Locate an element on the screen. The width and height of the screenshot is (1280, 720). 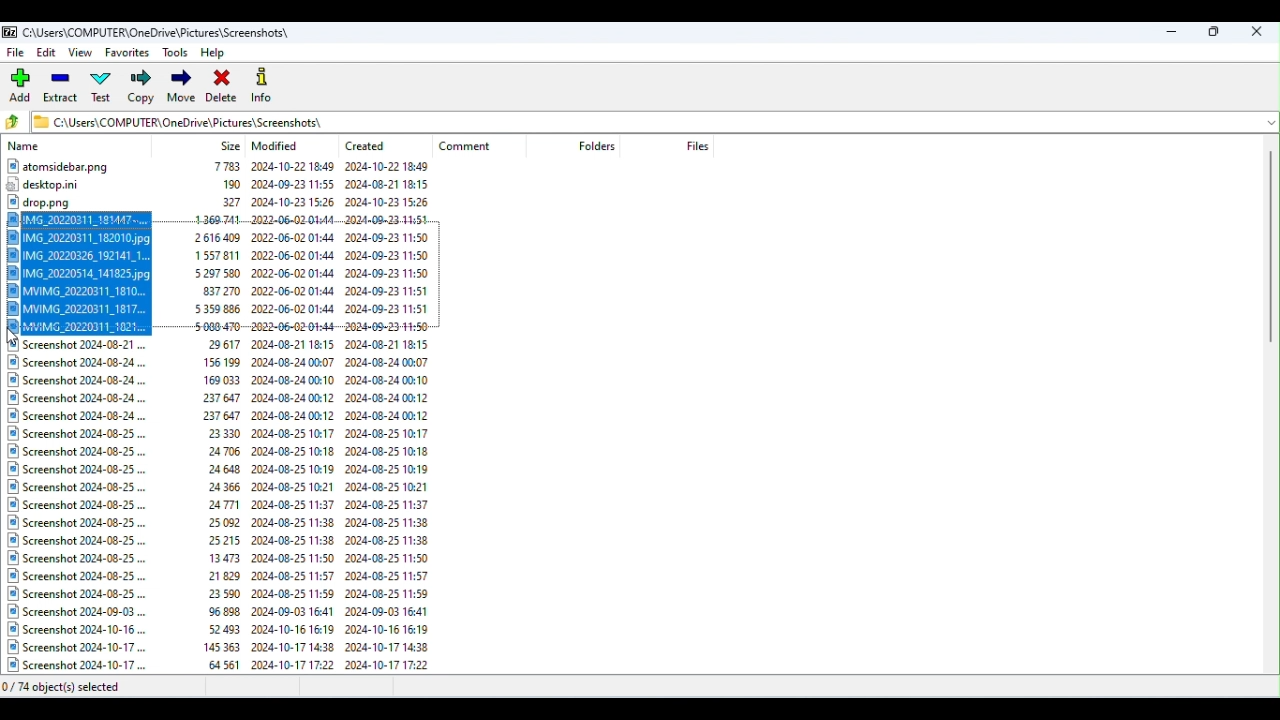
Size is located at coordinates (231, 145).